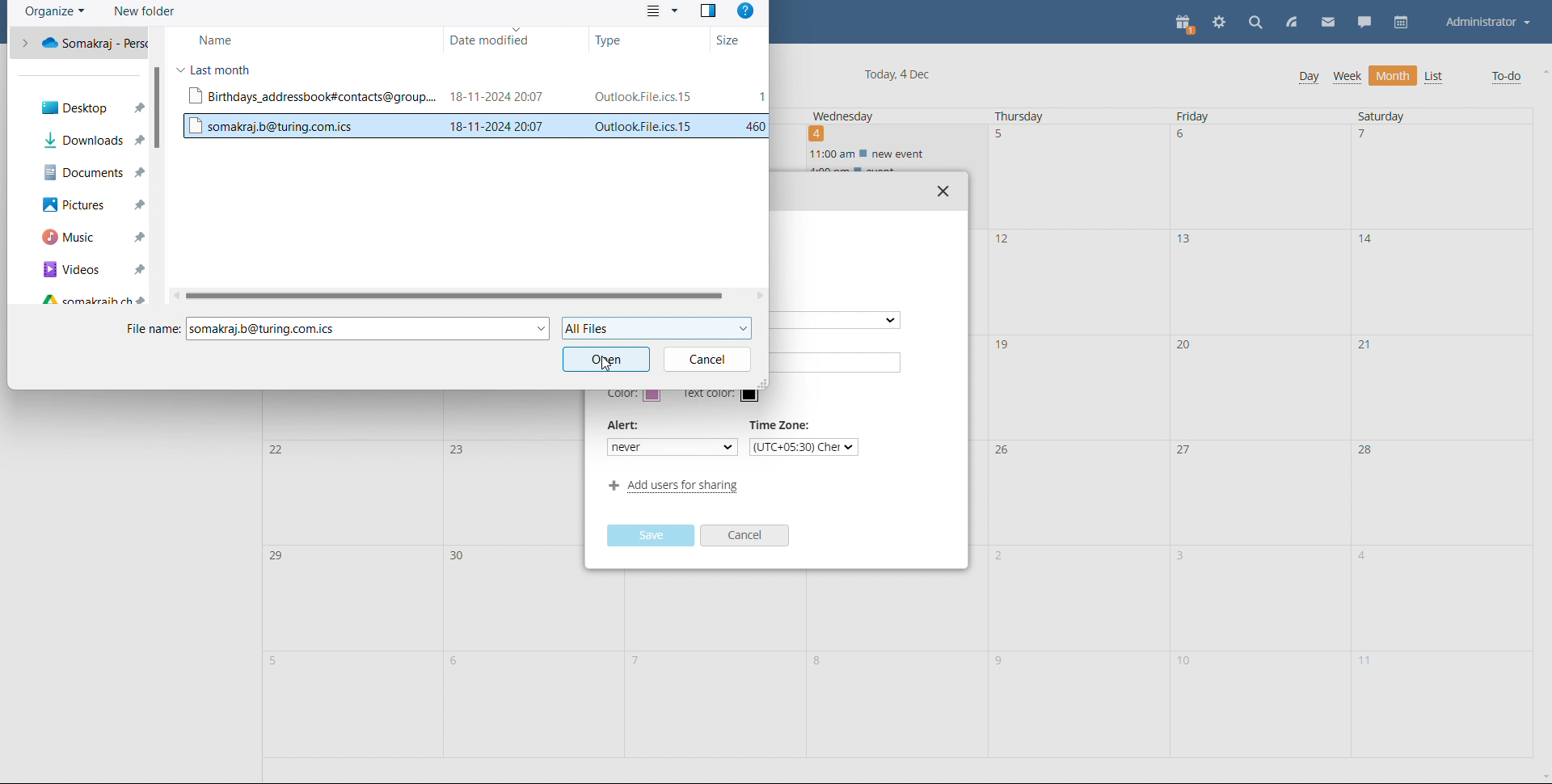  I want to click on new folder, so click(144, 12).